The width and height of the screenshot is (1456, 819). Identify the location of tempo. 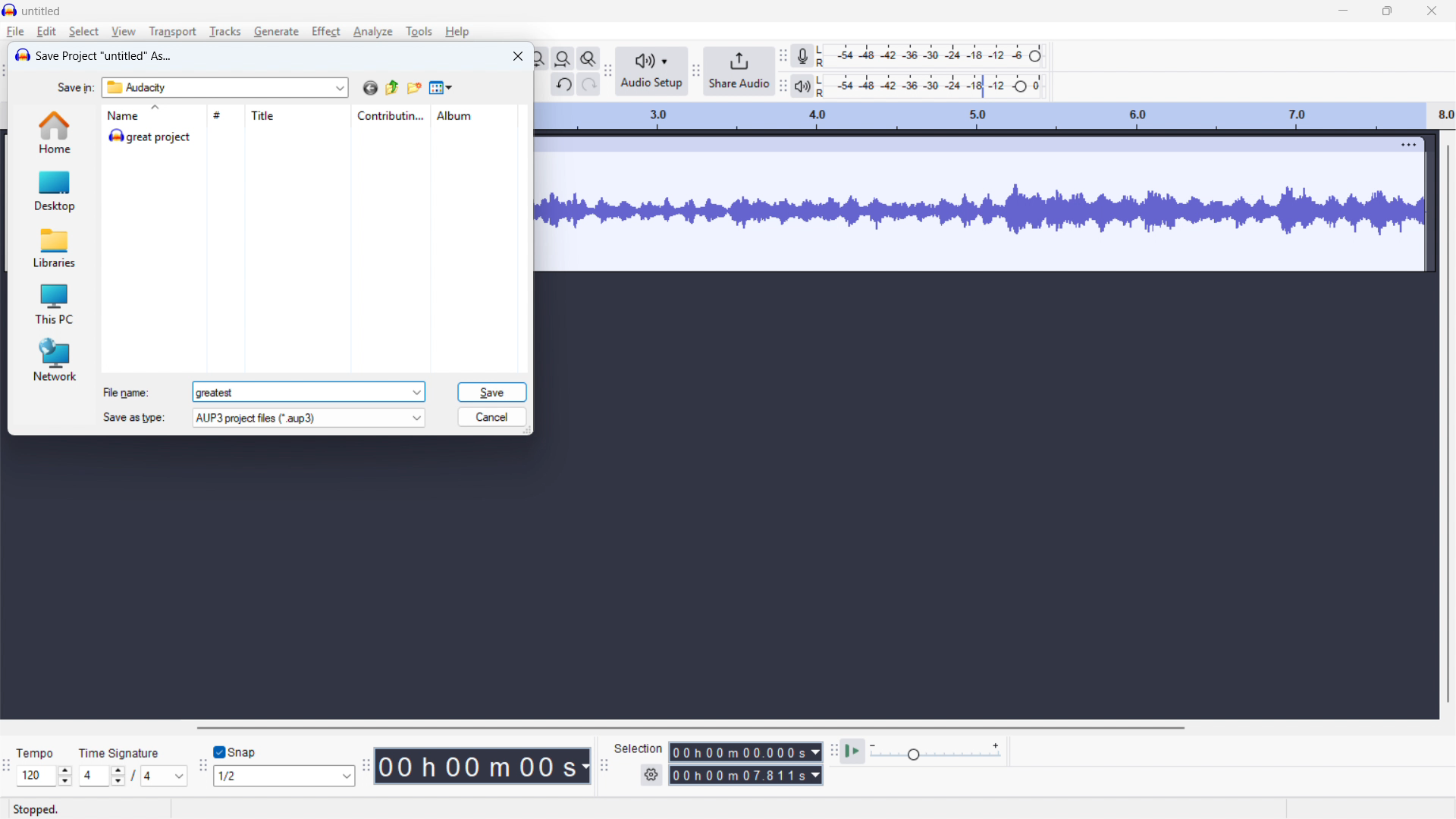
(36, 754).